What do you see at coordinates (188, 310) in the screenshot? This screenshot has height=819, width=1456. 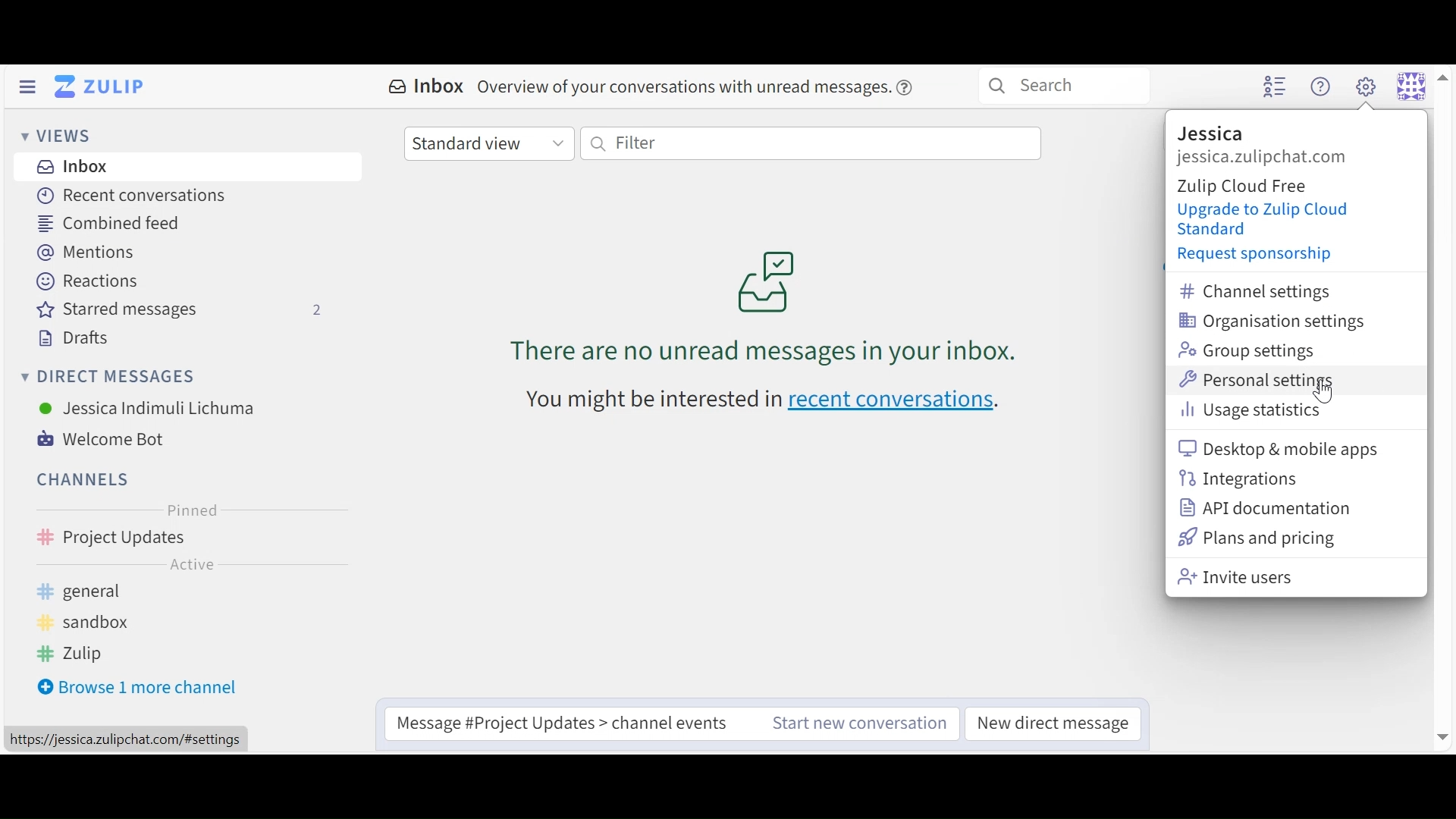 I see `Starred messages` at bounding box center [188, 310].